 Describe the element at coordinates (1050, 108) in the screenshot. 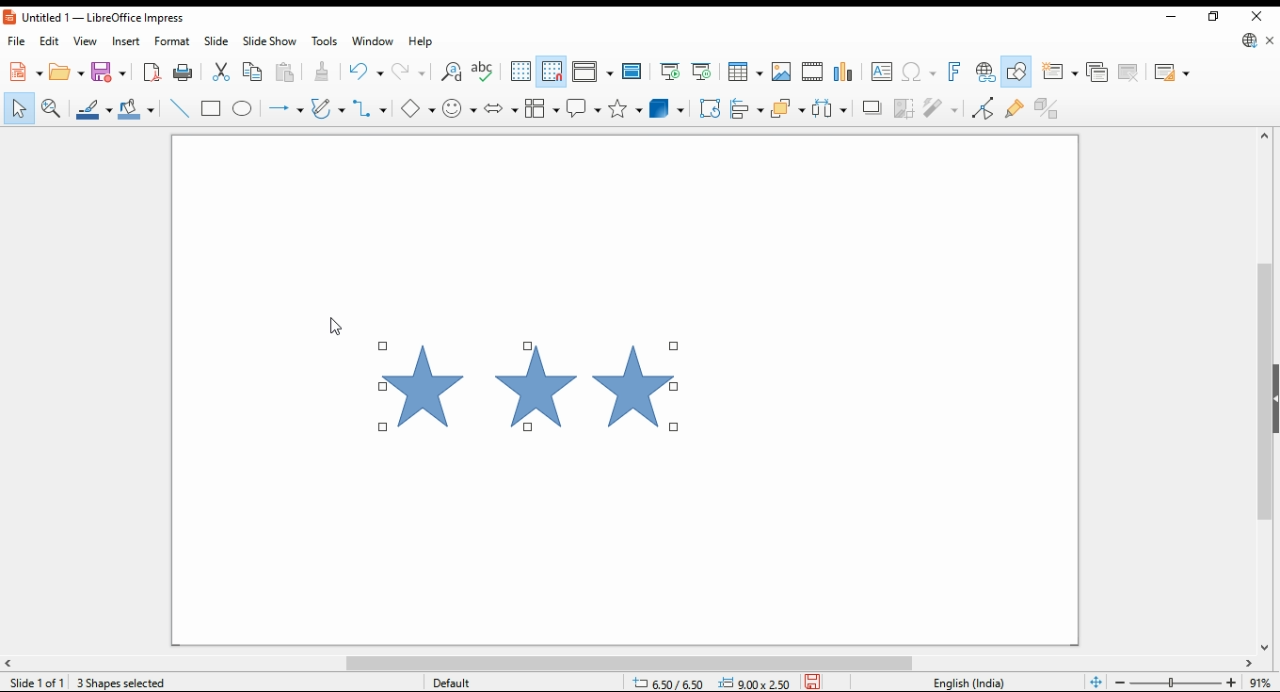

I see `toggle extrusions` at that location.